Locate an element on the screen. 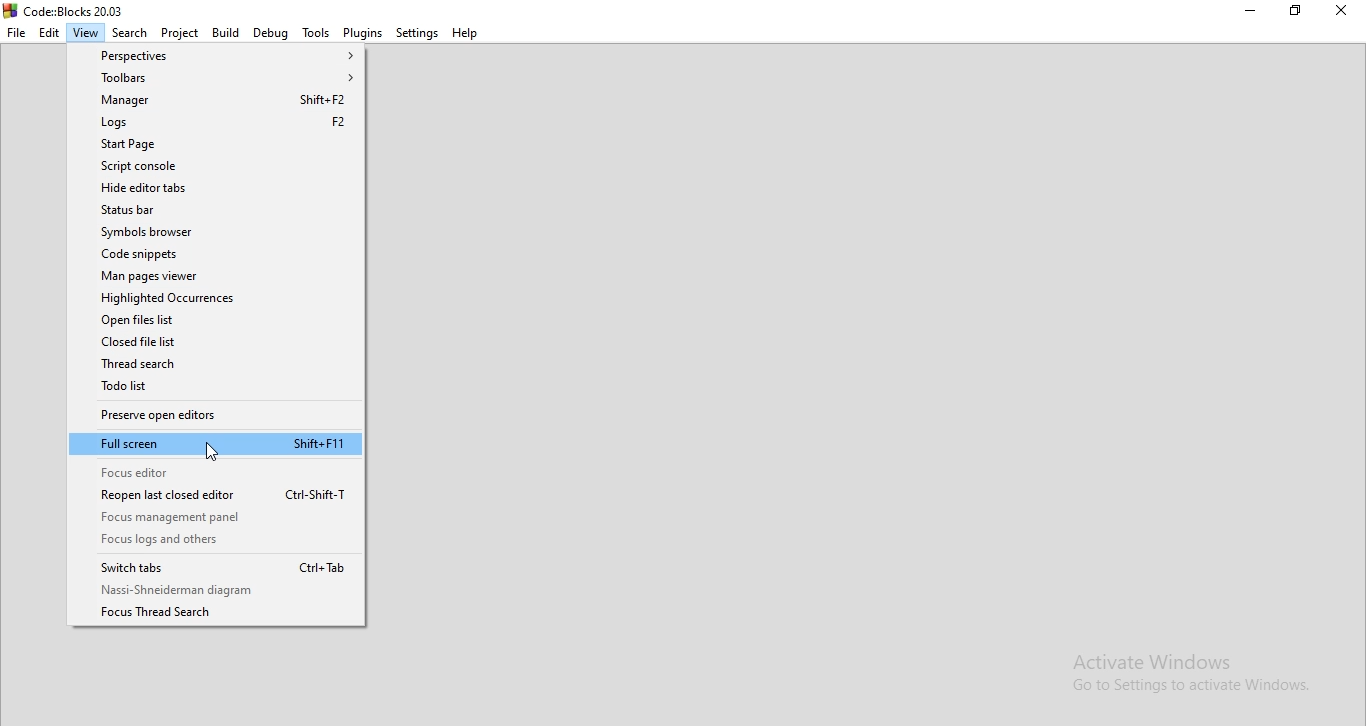  Script console is located at coordinates (212, 166).